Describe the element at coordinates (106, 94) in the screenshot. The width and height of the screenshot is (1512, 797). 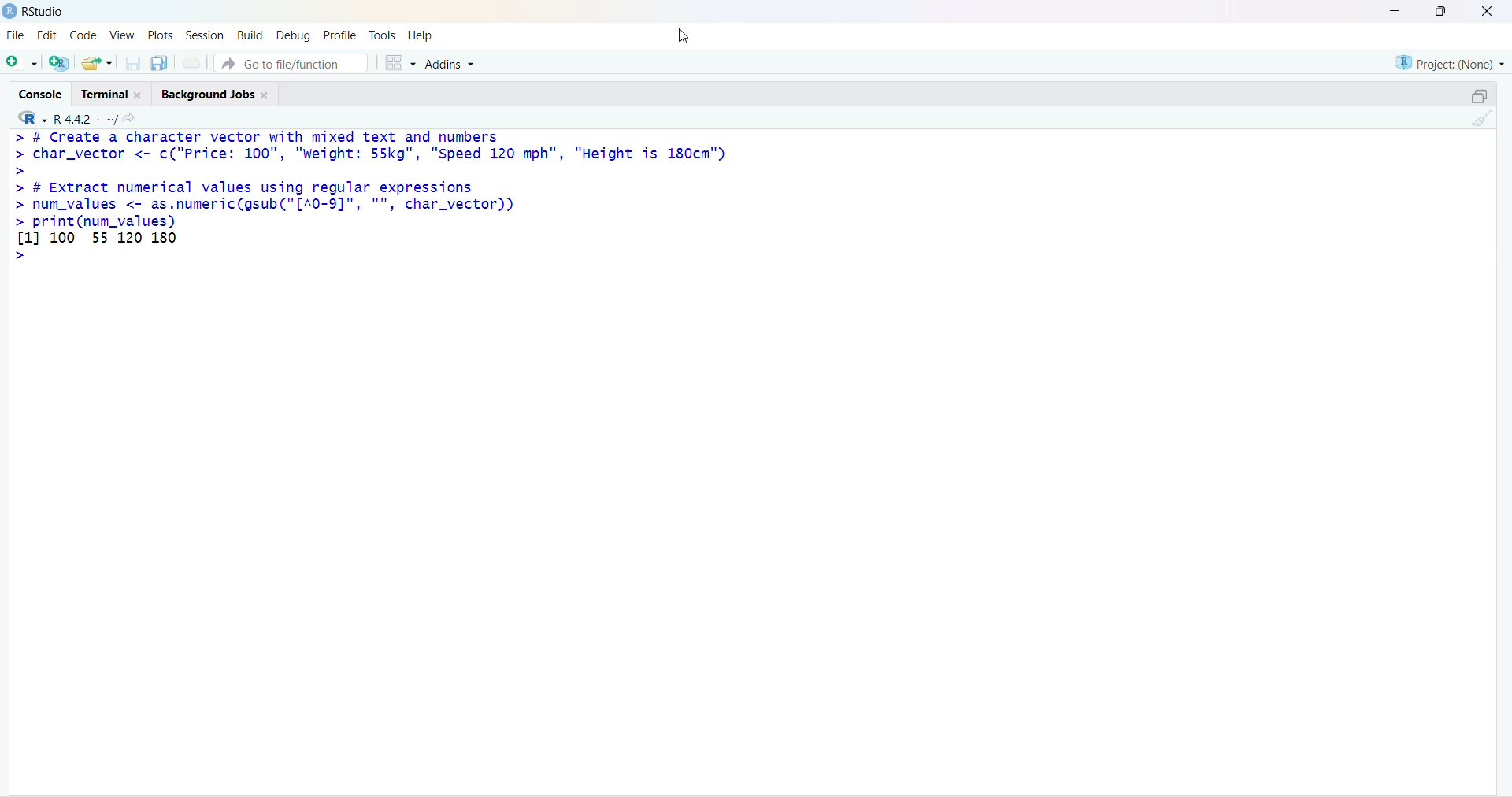
I see `terminal` at that location.